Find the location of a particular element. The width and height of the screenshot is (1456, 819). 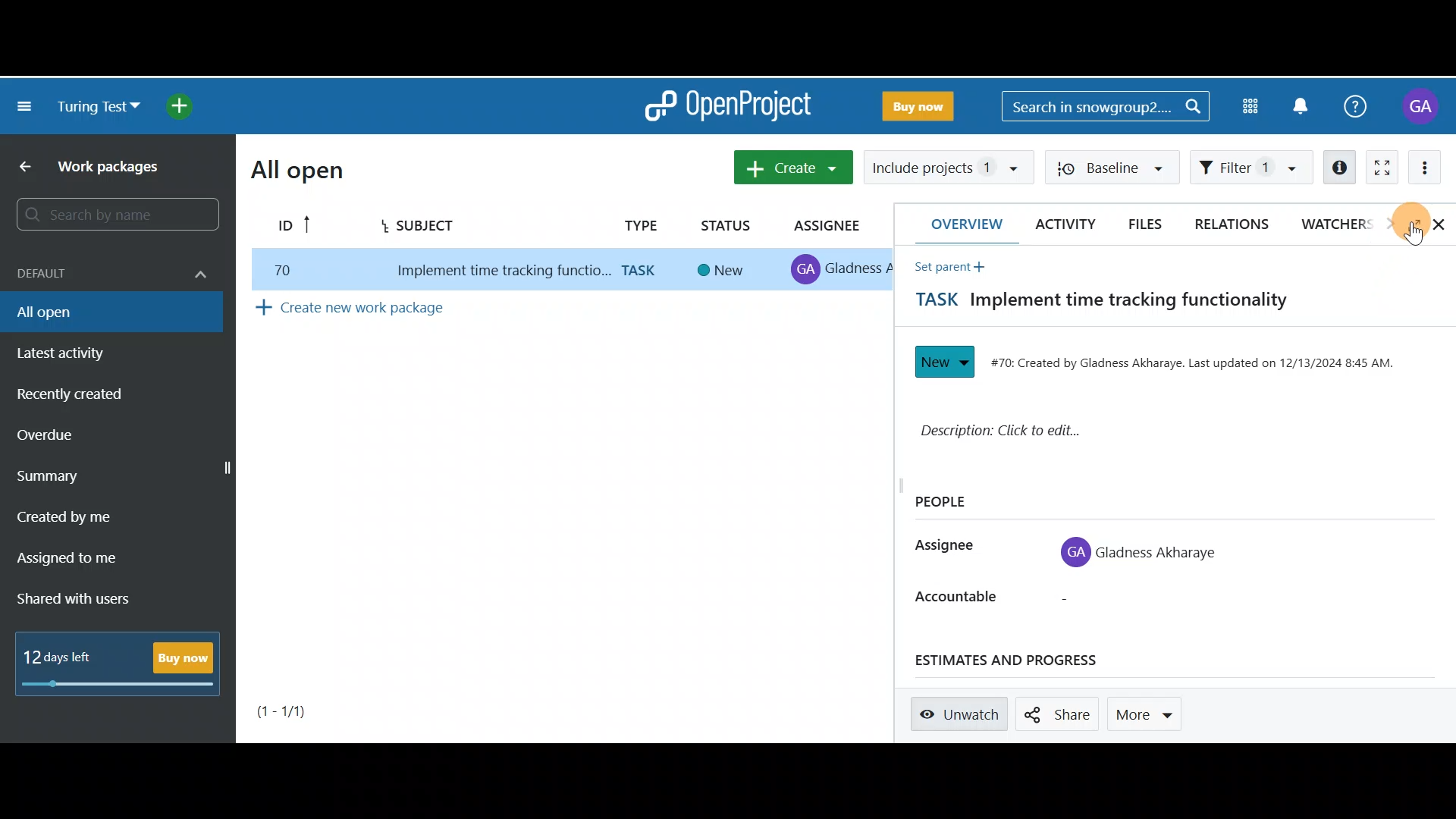

Buy Now is located at coordinates (915, 103).